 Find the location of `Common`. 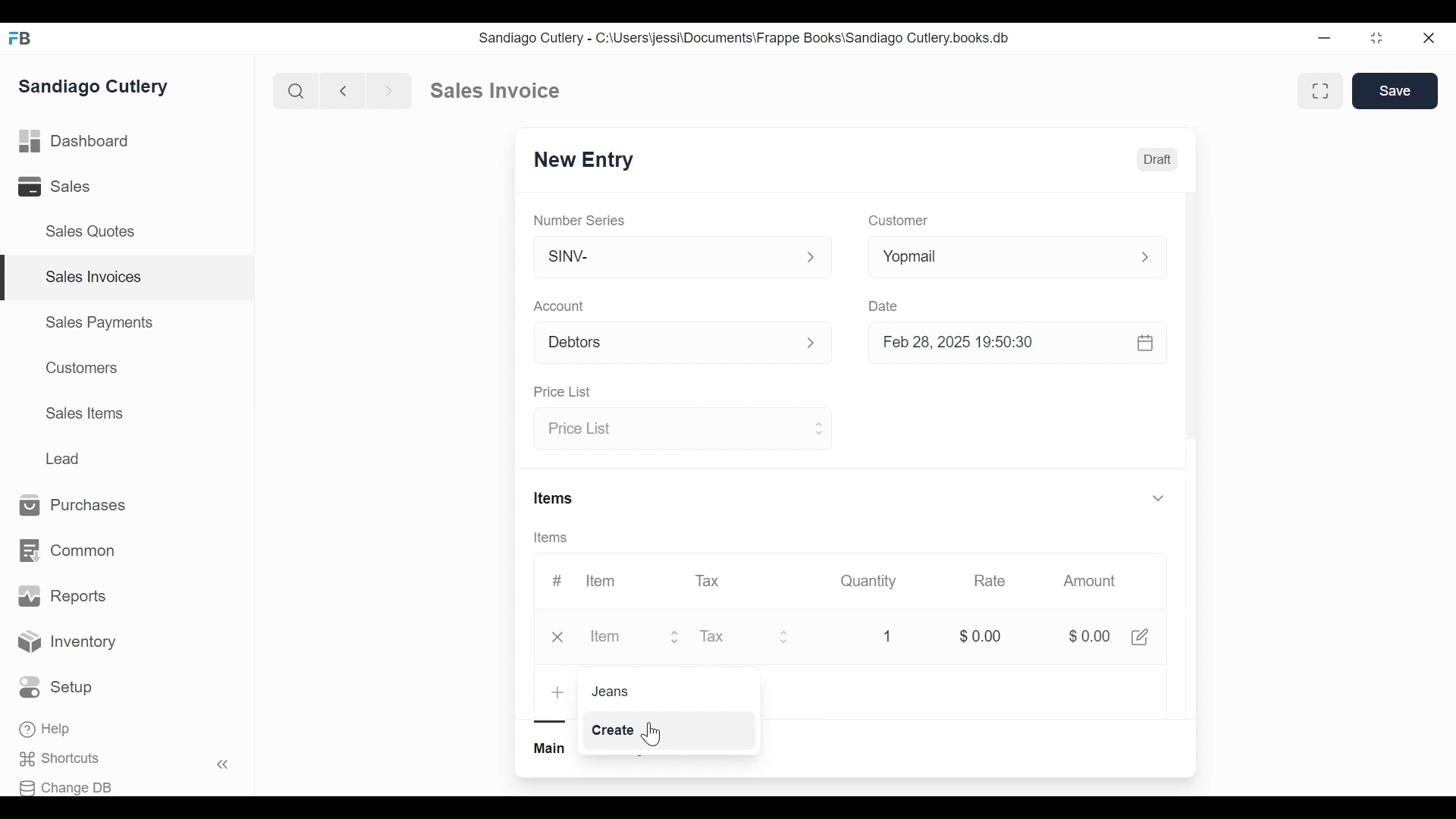

Common is located at coordinates (70, 551).